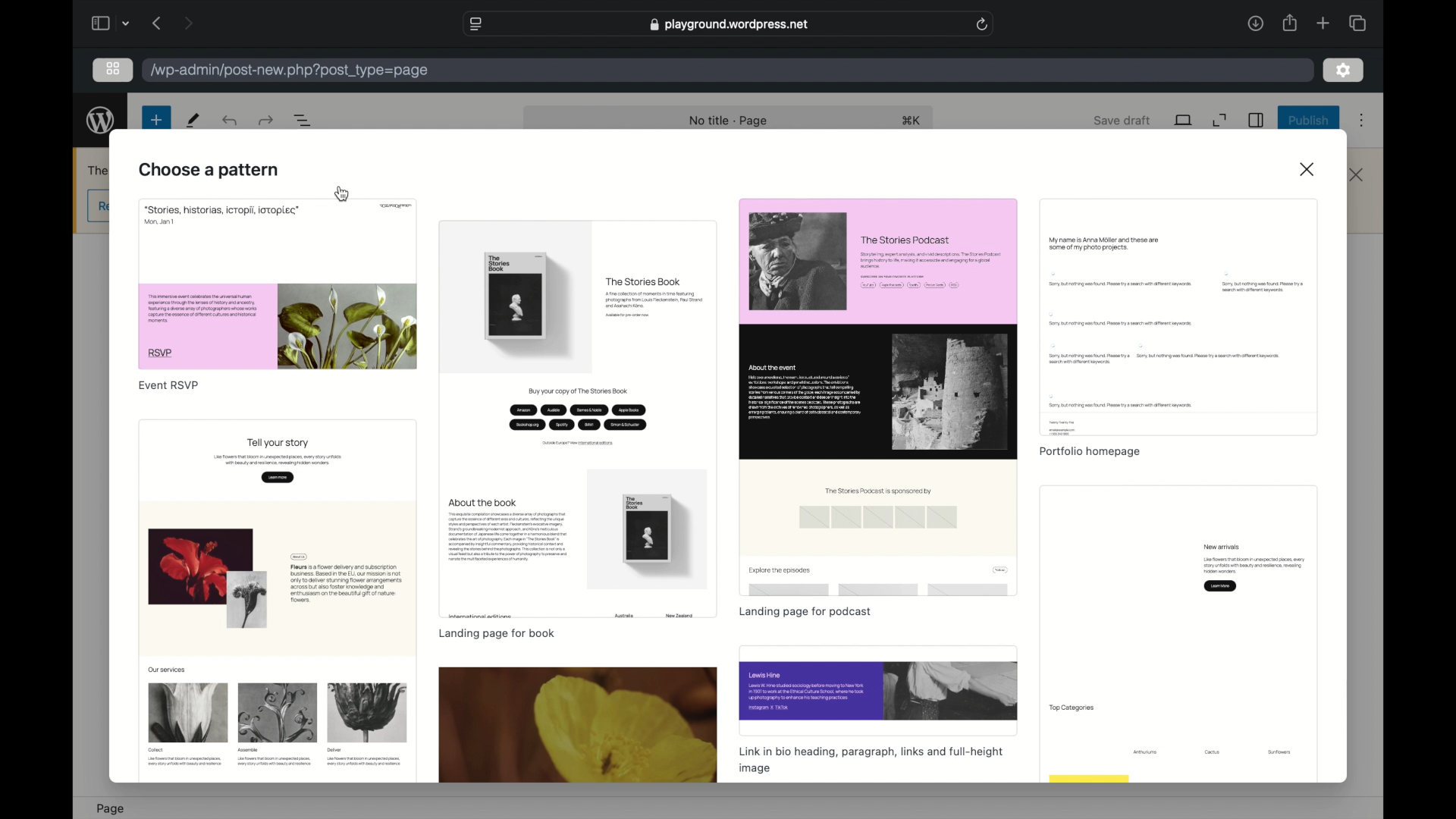  What do you see at coordinates (1357, 175) in the screenshot?
I see `close` at bounding box center [1357, 175].